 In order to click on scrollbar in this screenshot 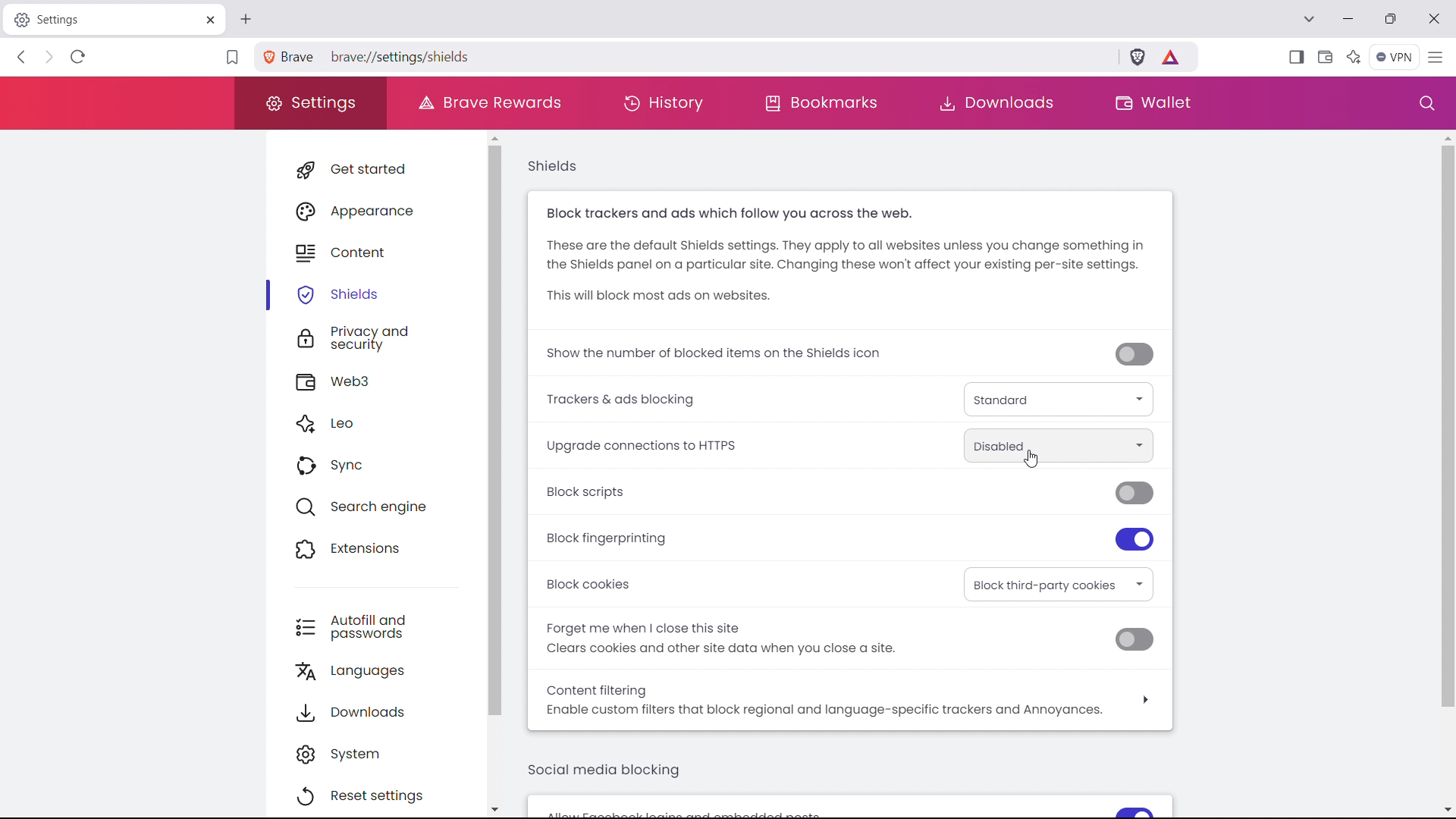, I will do `click(498, 431)`.